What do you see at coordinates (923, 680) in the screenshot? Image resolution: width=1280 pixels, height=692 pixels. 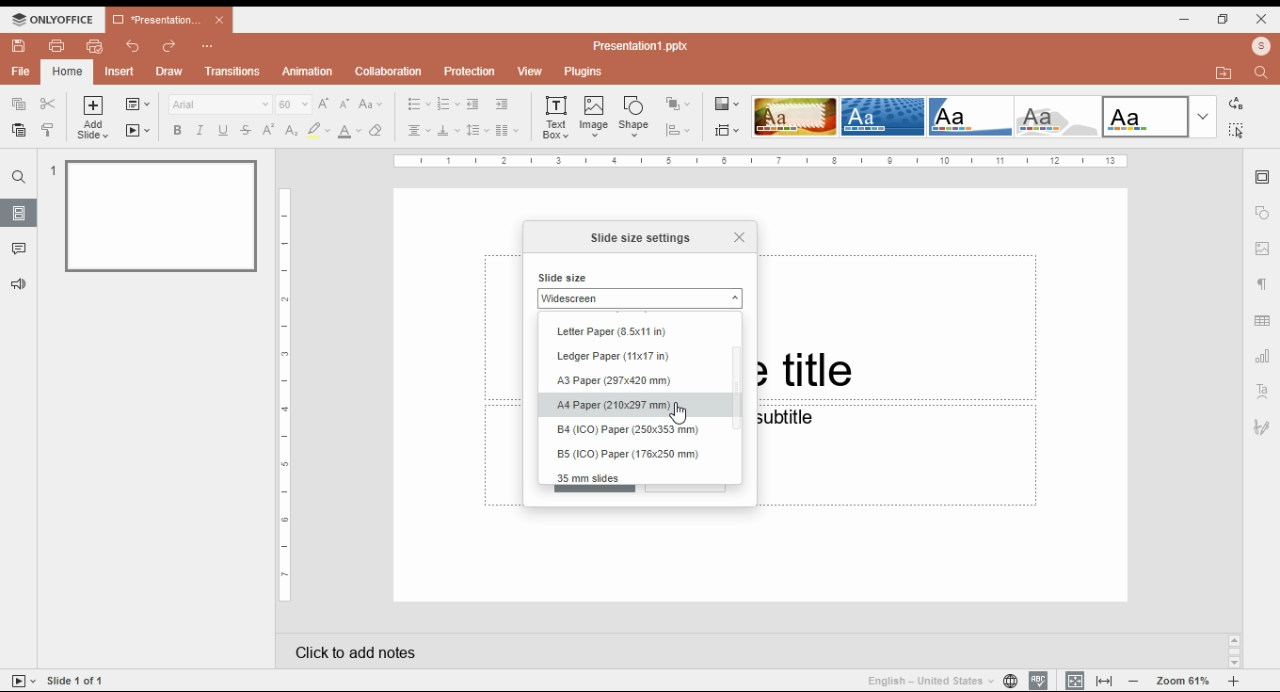 I see `English - United States` at bounding box center [923, 680].